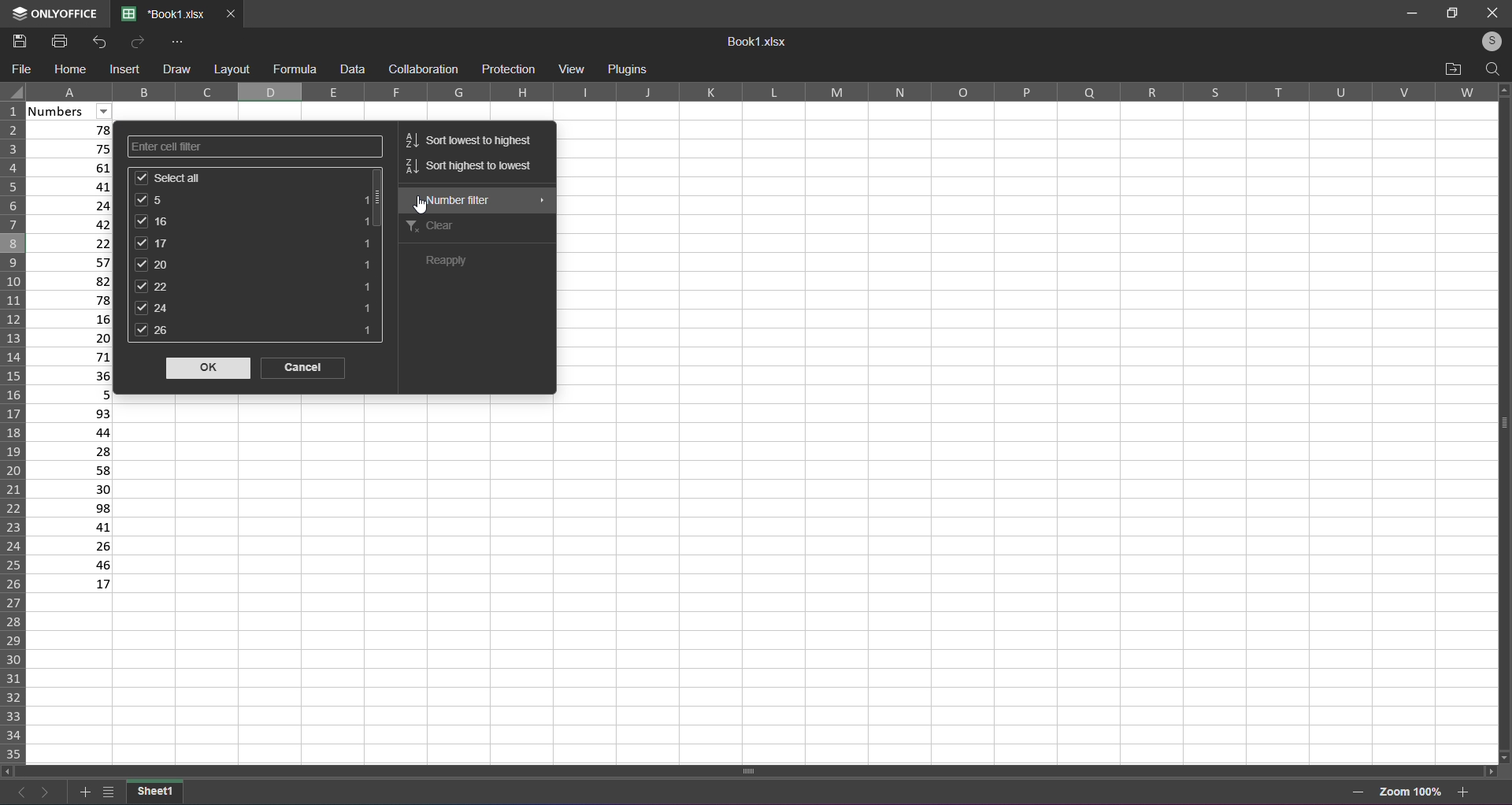 This screenshot has height=805, width=1512. What do you see at coordinates (72, 451) in the screenshot?
I see `28` at bounding box center [72, 451].